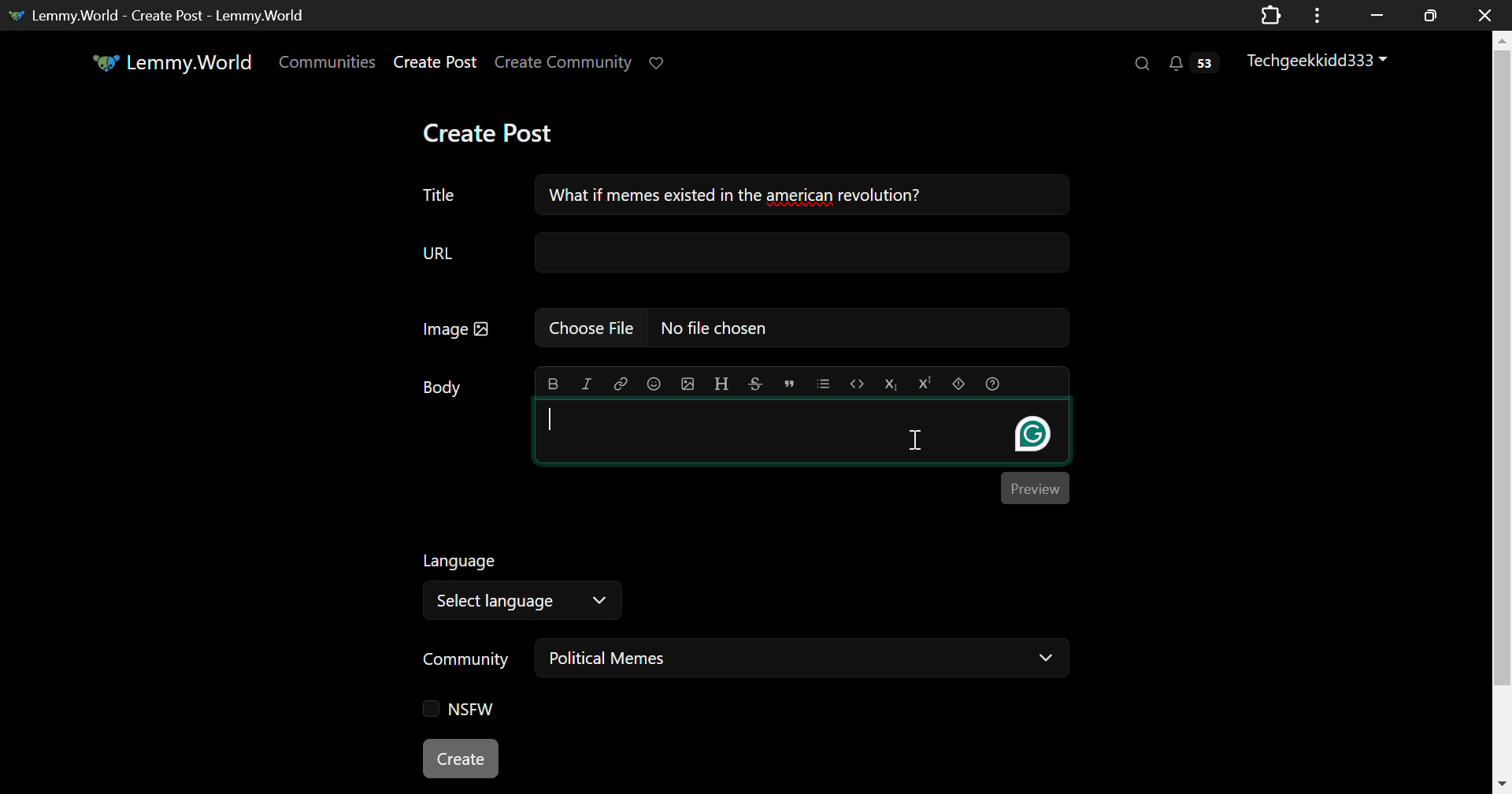  Describe the element at coordinates (586, 382) in the screenshot. I see `Italic` at that location.